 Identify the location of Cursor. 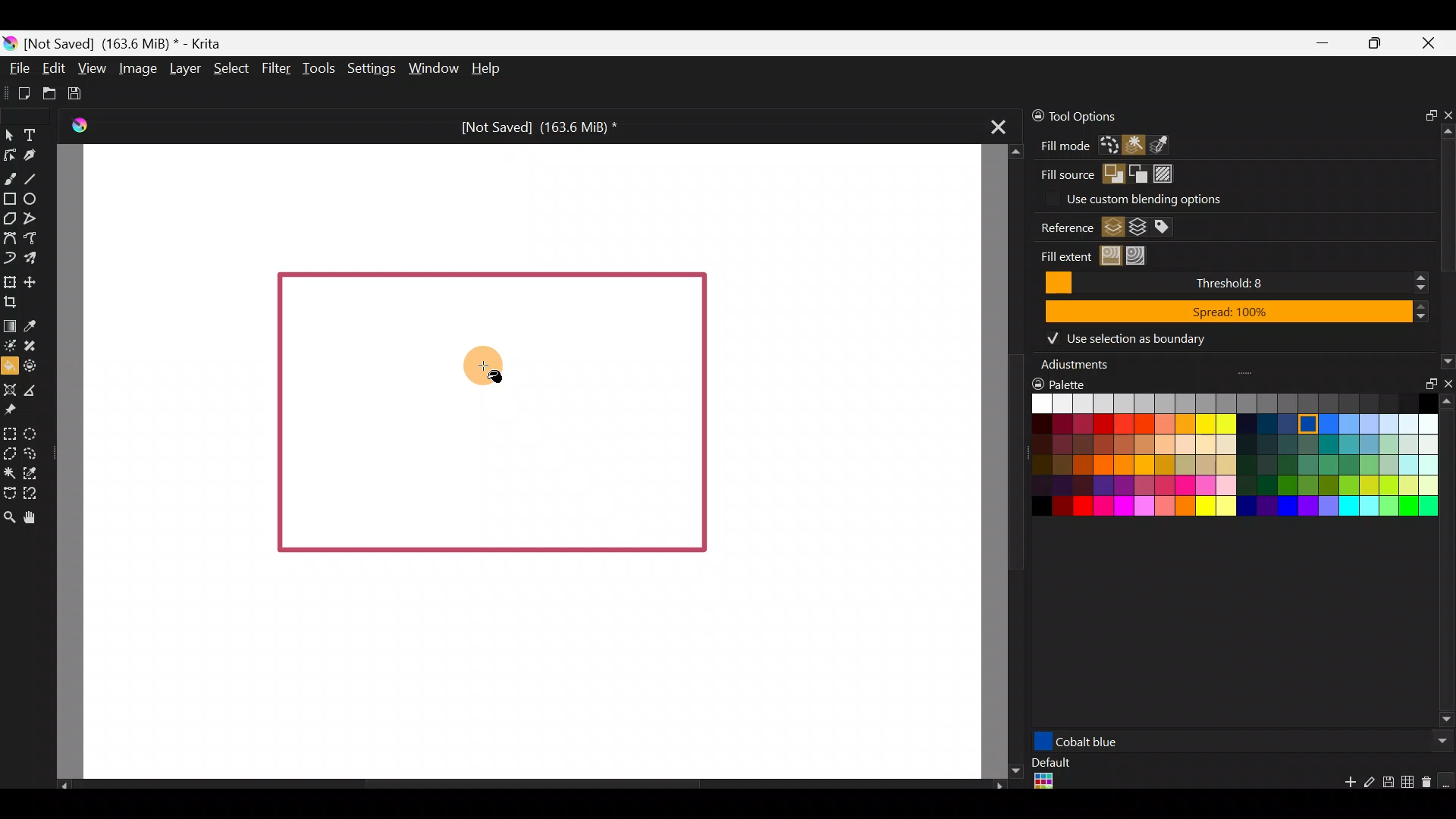
(469, 366).